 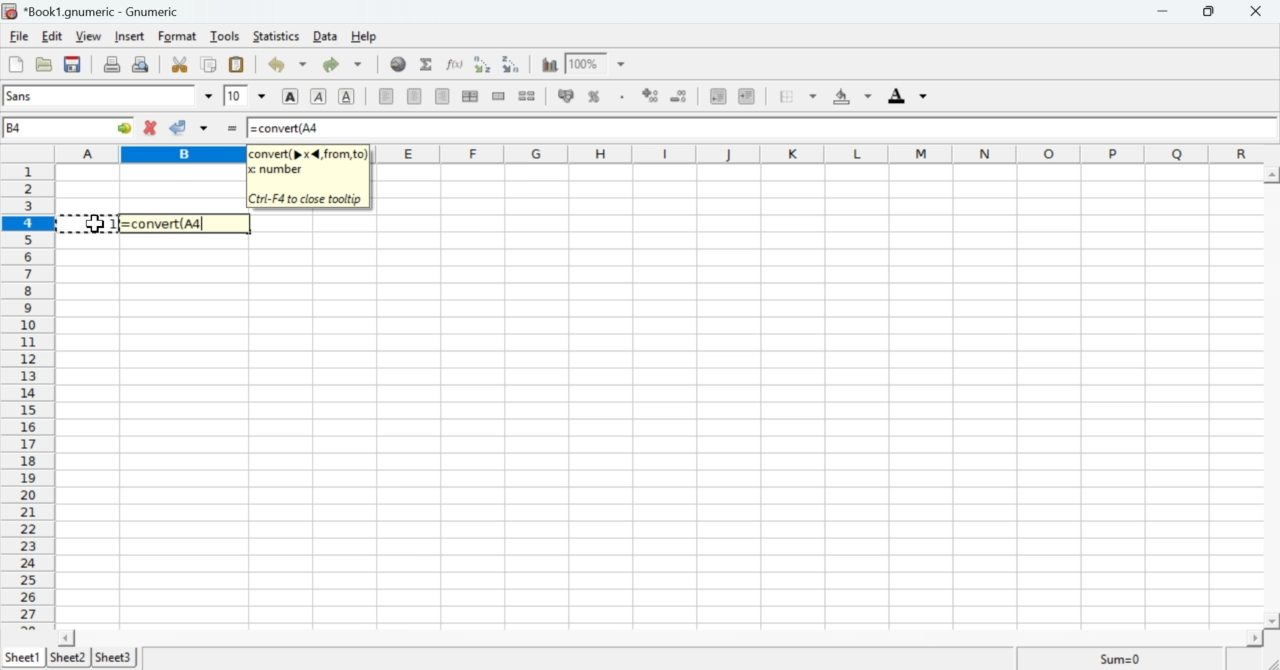 What do you see at coordinates (327, 37) in the screenshot?
I see `Data` at bounding box center [327, 37].